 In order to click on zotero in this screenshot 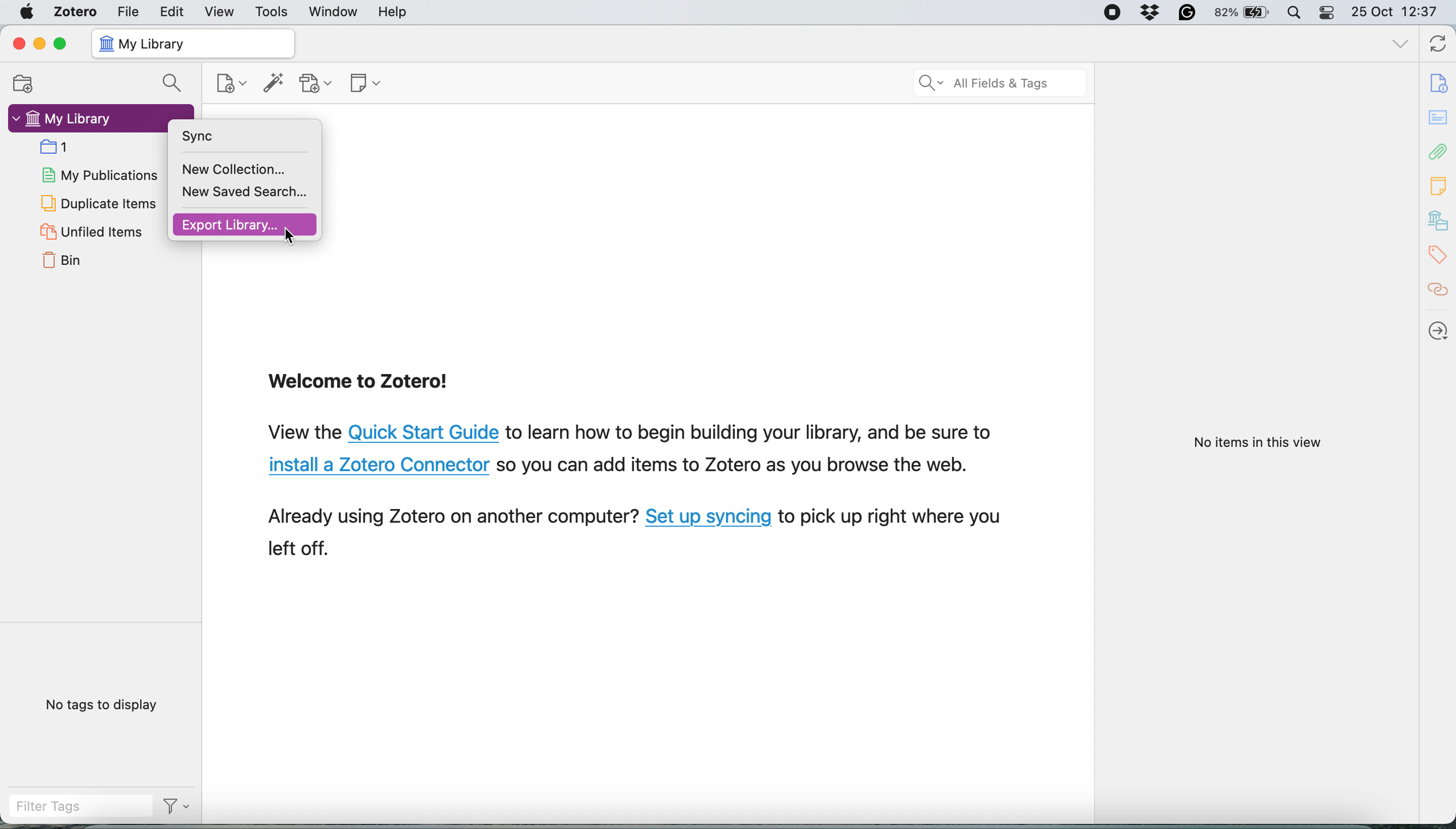, I will do `click(77, 10)`.